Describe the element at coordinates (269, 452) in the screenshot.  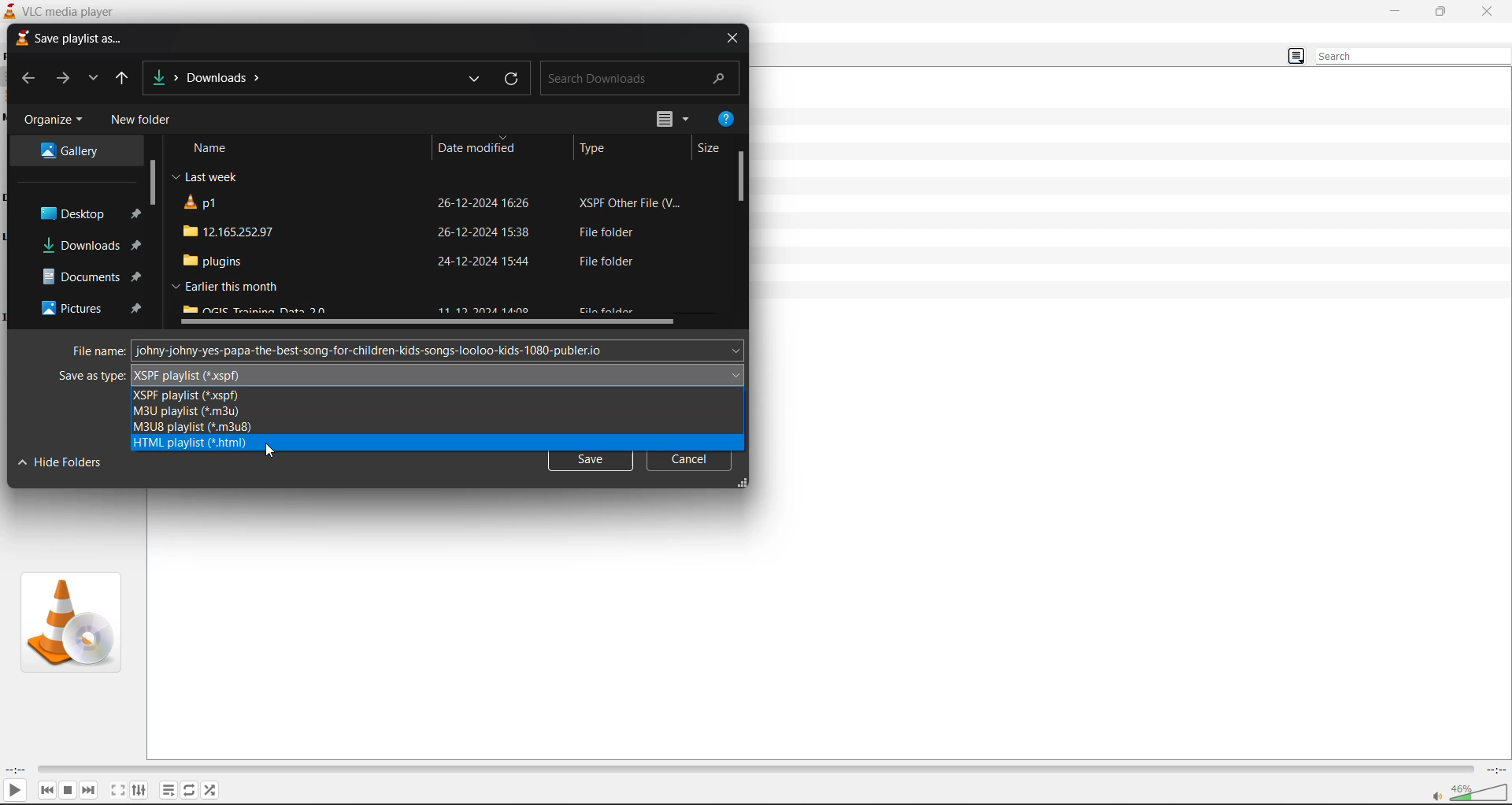
I see `cursor` at that location.